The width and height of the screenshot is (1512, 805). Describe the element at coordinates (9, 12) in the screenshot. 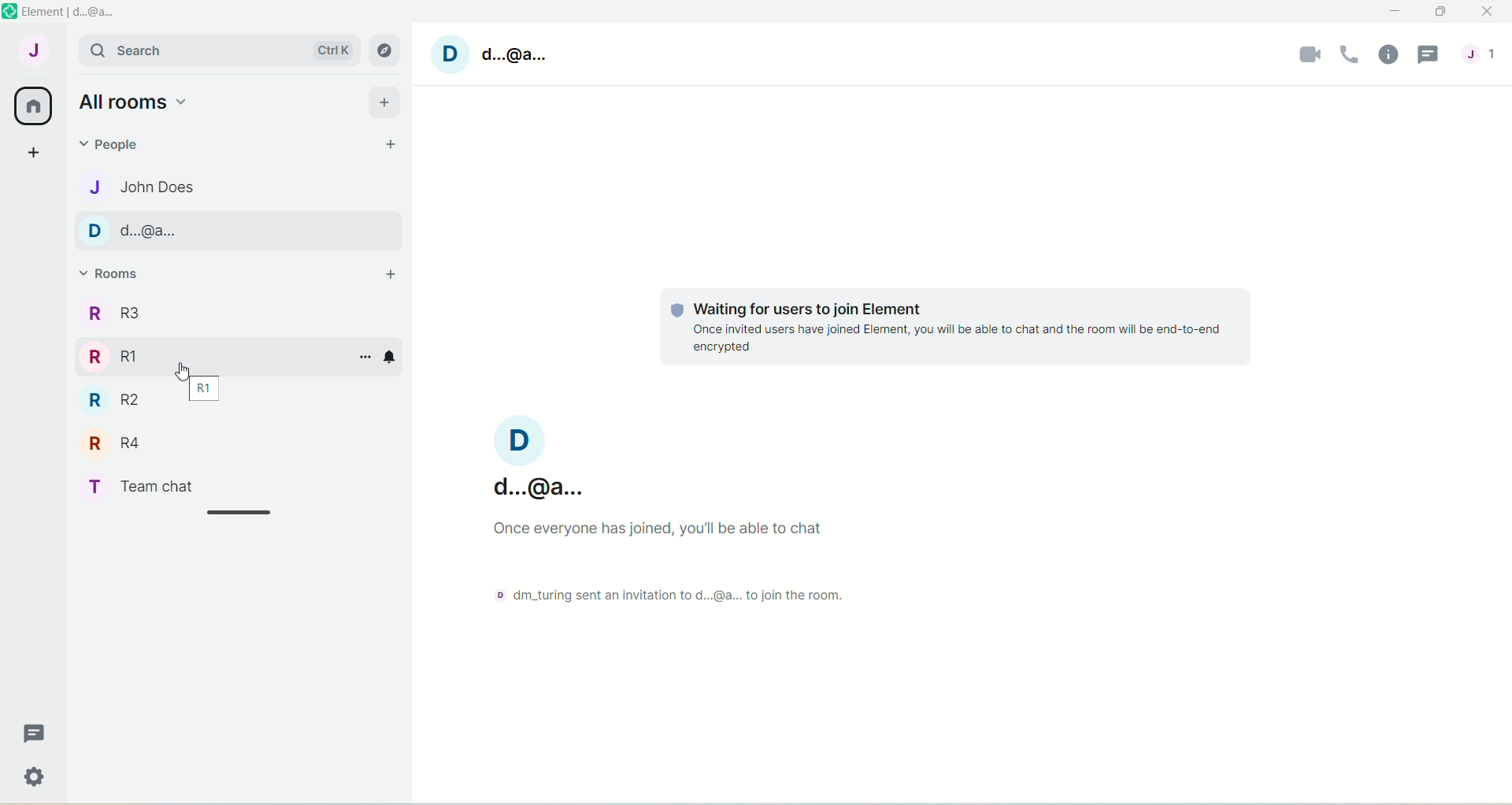

I see `logo` at that location.